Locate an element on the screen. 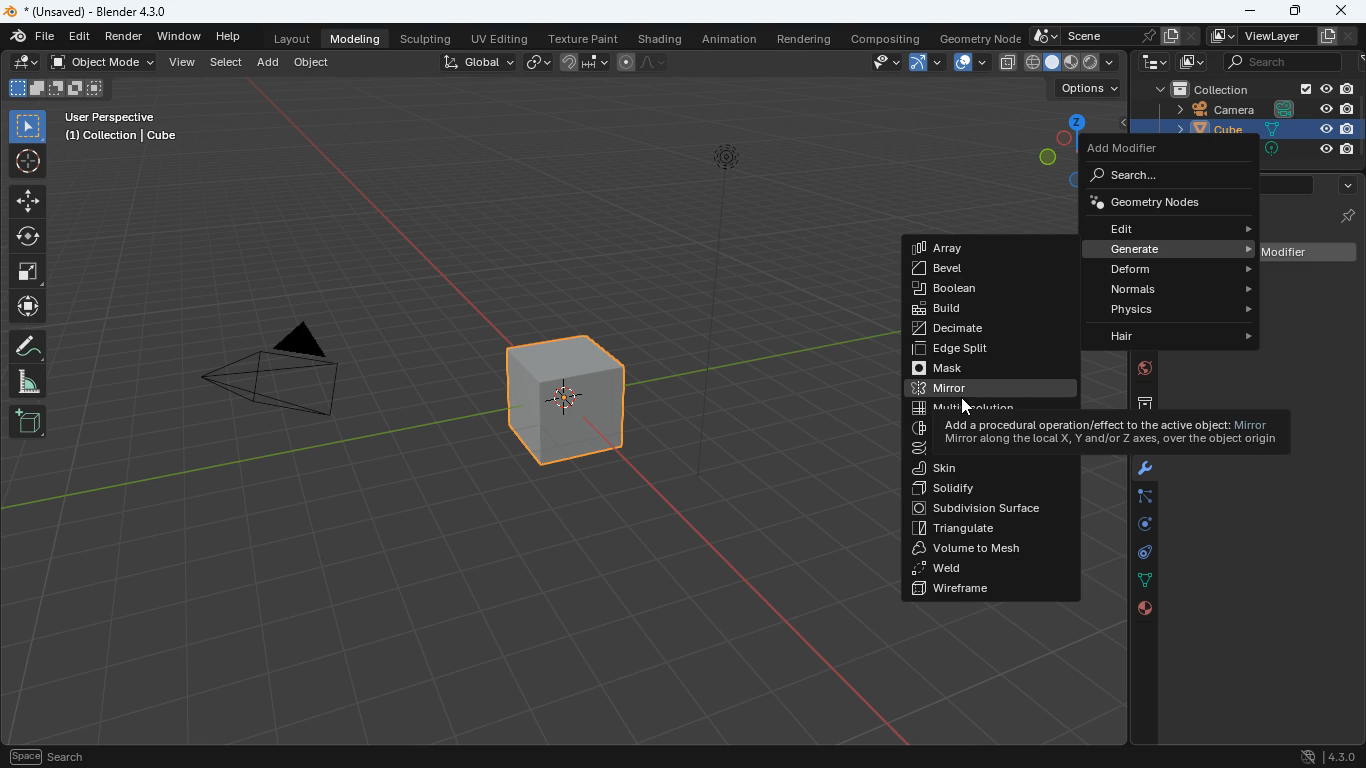  array is located at coordinates (964, 247).